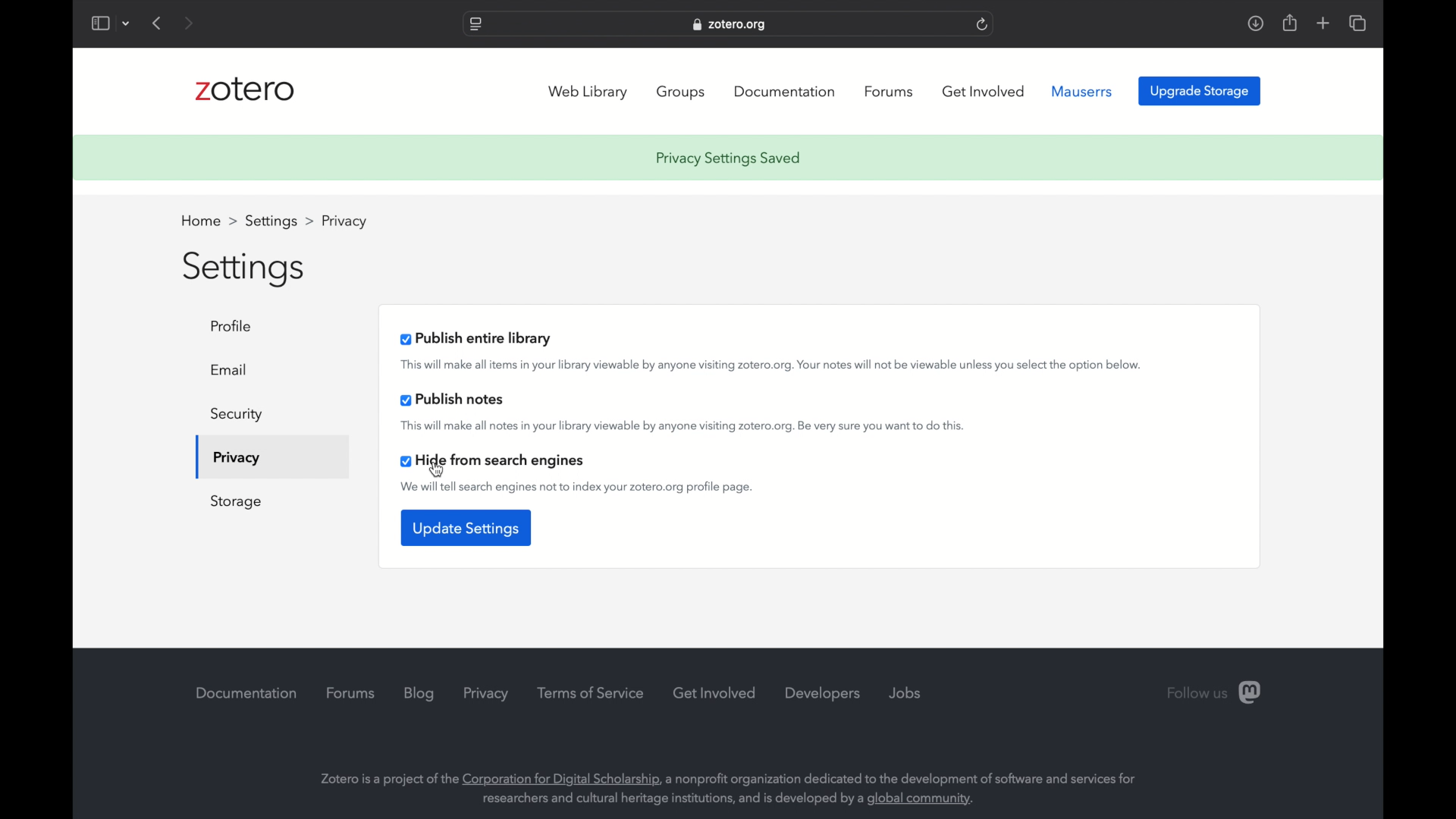 The image size is (1456, 819). Describe the element at coordinates (234, 326) in the screenshot. I see `profile` at that location.